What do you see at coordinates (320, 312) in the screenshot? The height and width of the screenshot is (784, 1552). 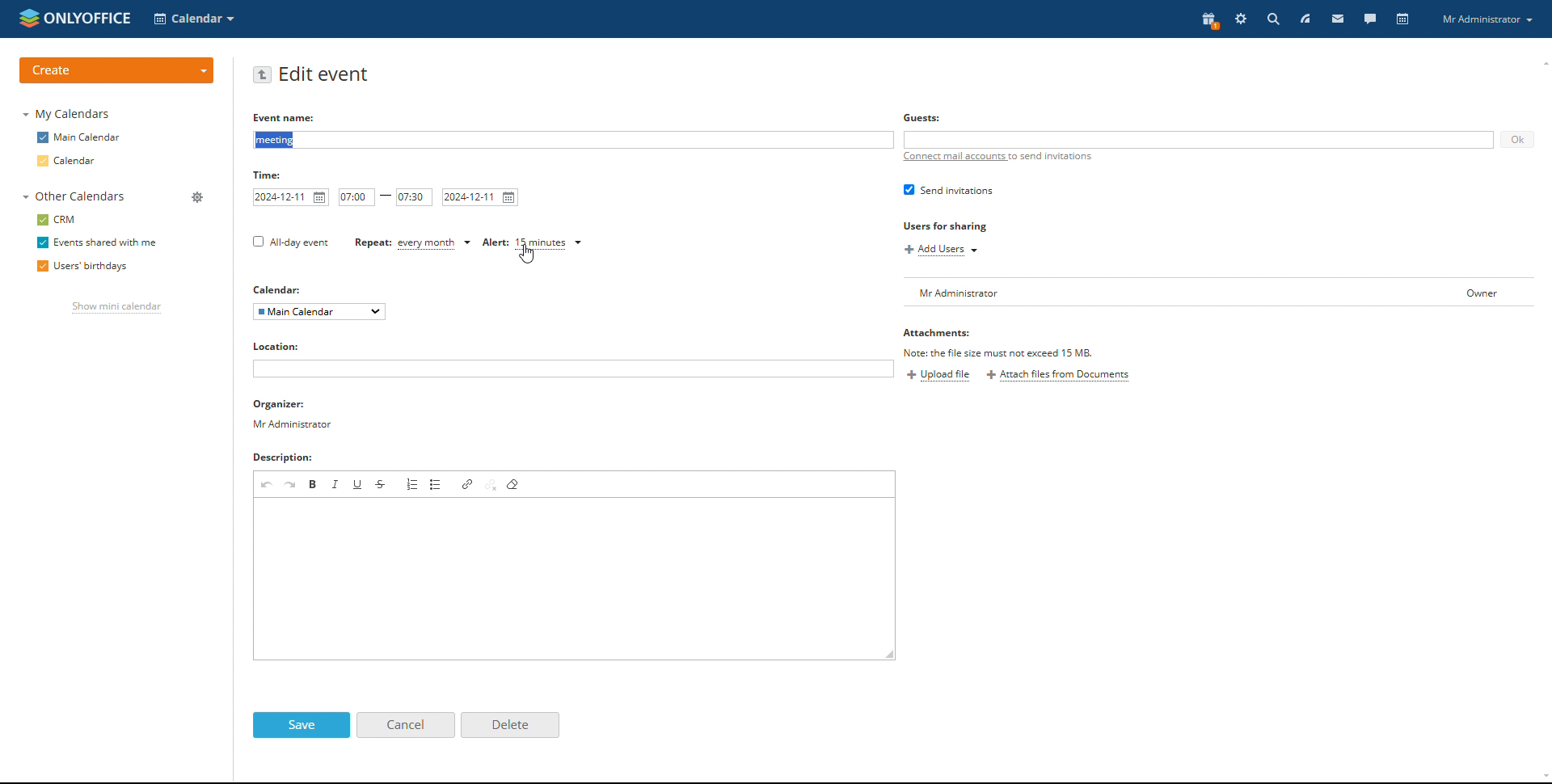 I see `select calendar` at bounding box center [320, 312].